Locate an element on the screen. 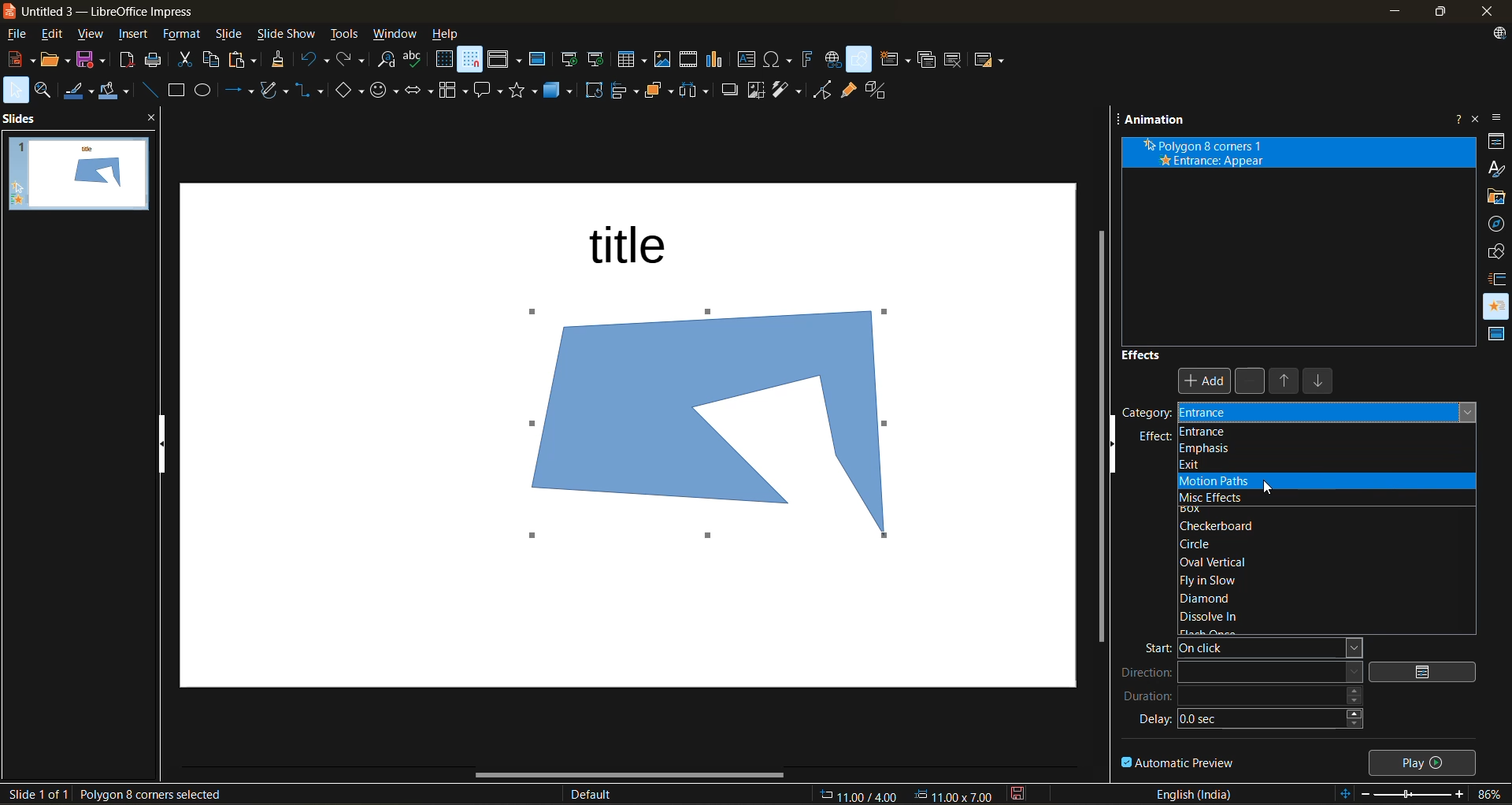 Image resolution: width=1512 pixels, height=805 pixels. help about this sidebar is located at coordinates (1454, 117).